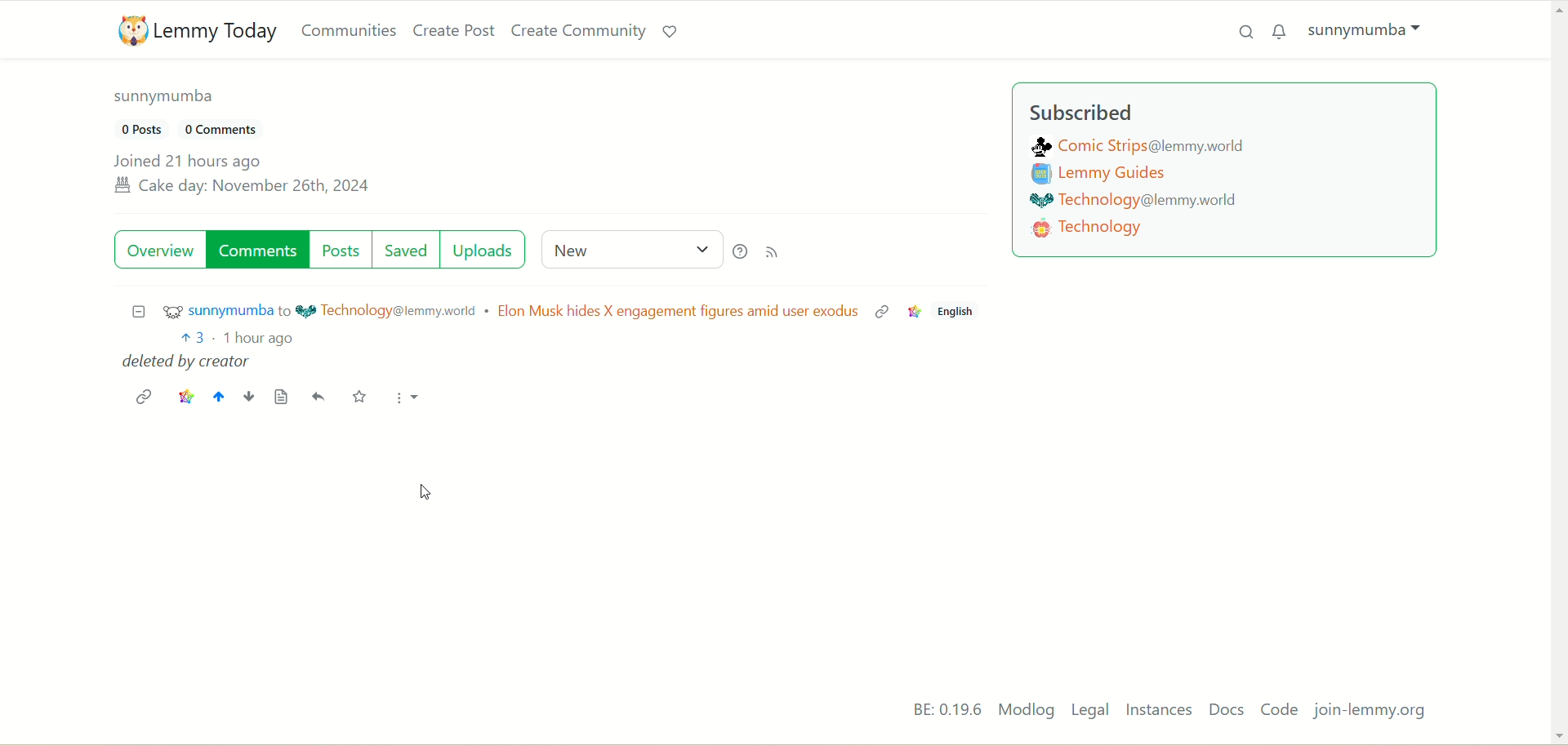 Image resolution: width=1568 pixels, height=746 pixels. I want to click on 3 votes up, so click(193, 335).